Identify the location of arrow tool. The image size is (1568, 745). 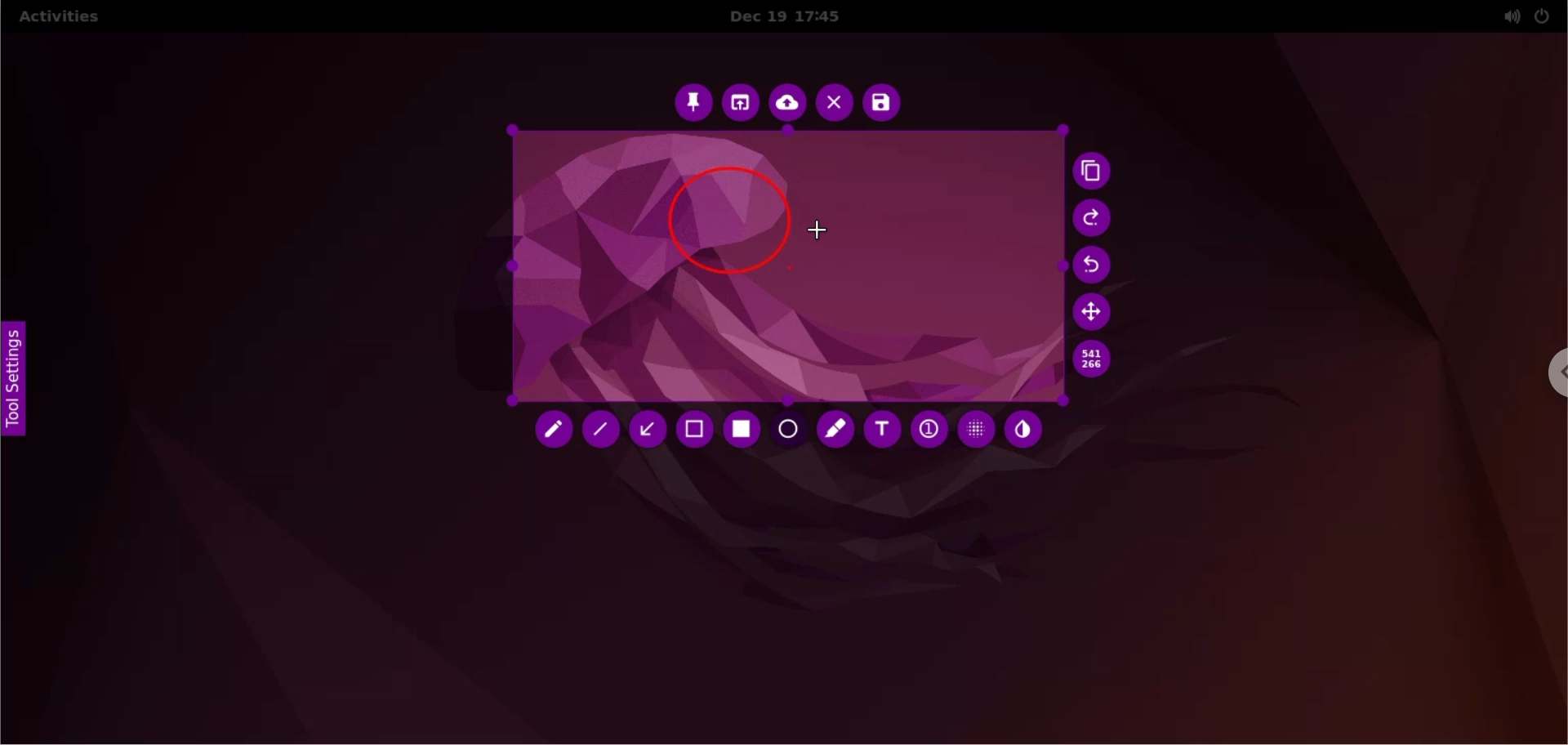
(650, 430).